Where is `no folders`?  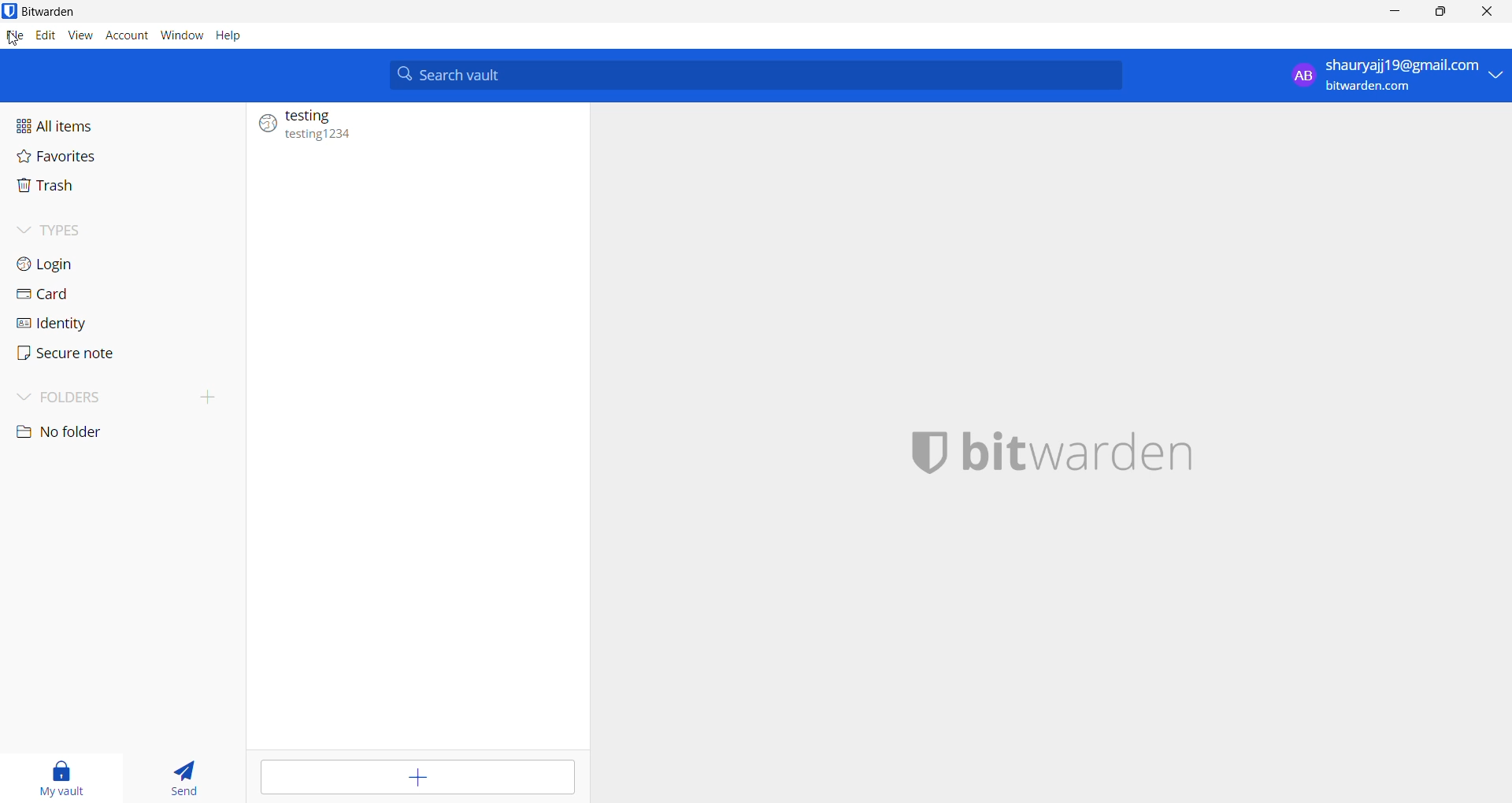
no folders is located at coordinates (102, 435).